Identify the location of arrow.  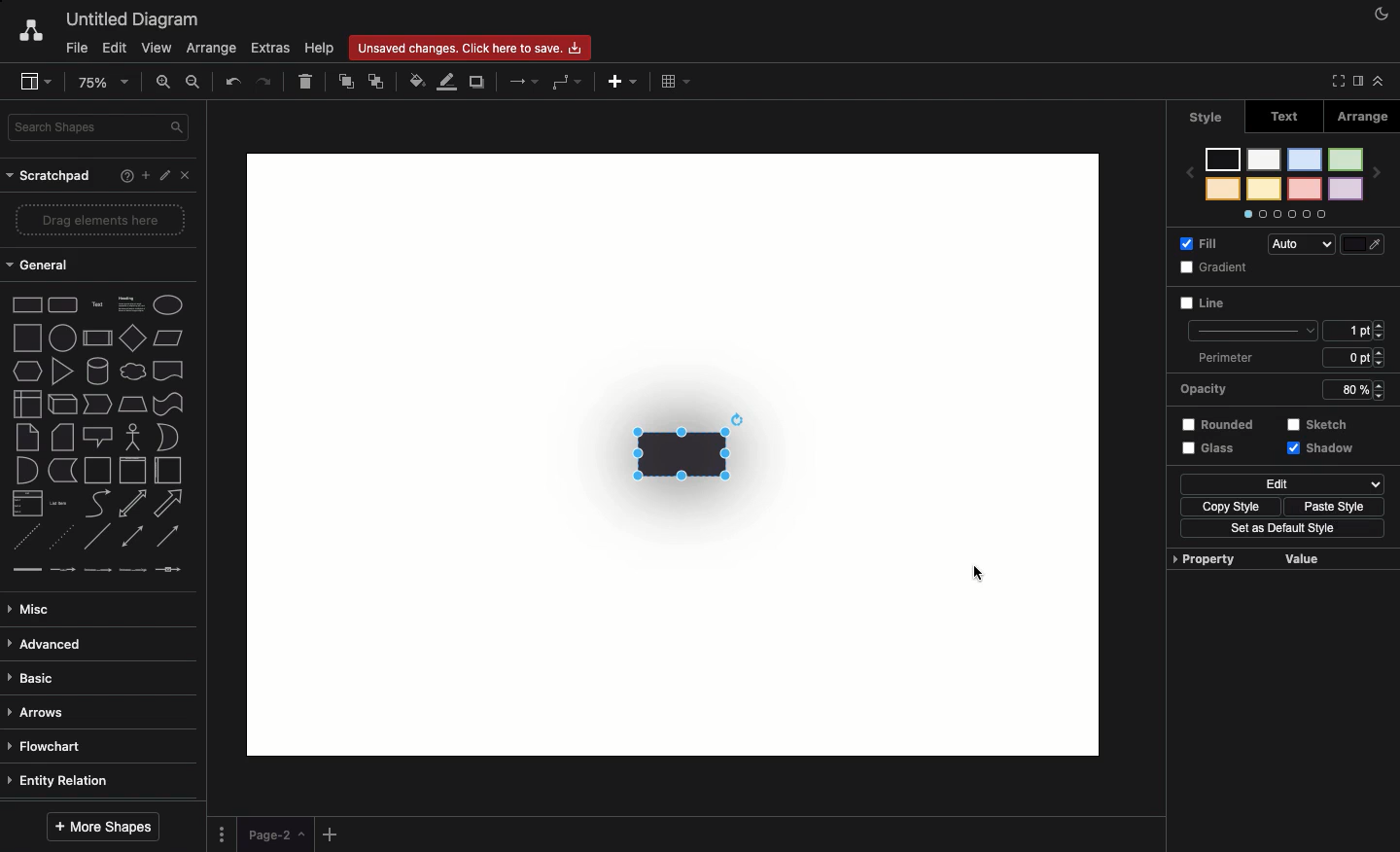
(169, 506).